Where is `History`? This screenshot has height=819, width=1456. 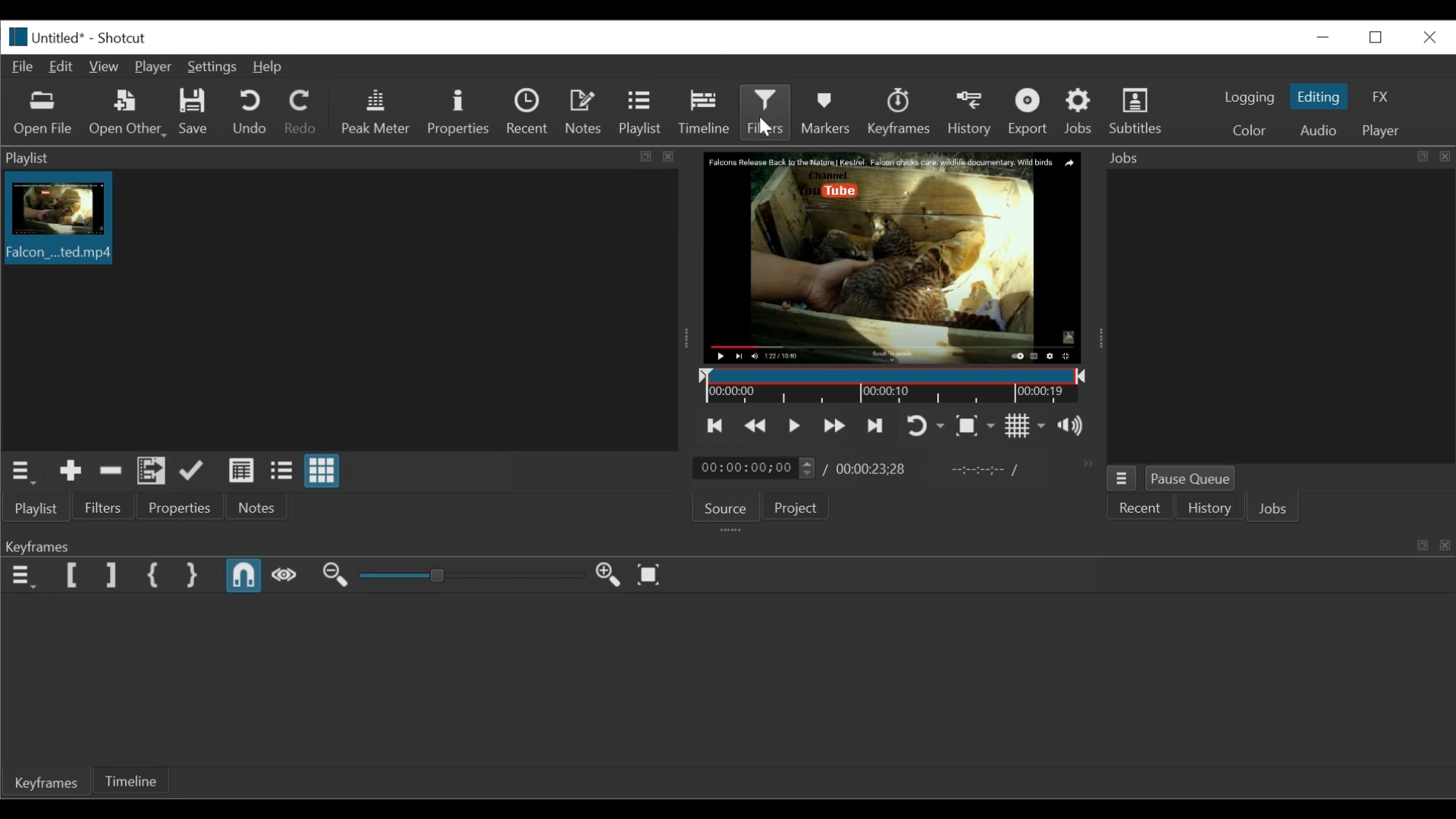
History is located at coordinates (1209, 507).